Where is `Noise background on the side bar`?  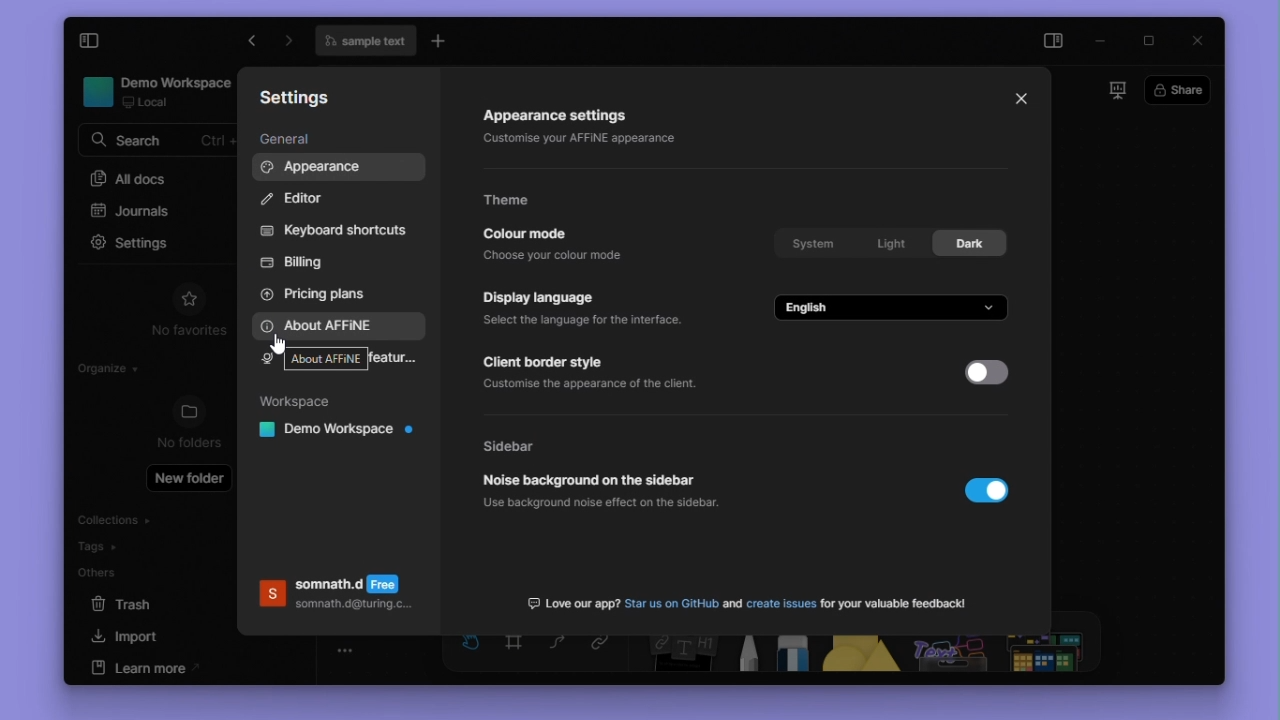
Noise background on the side bar is located at coordinates (627, 493).